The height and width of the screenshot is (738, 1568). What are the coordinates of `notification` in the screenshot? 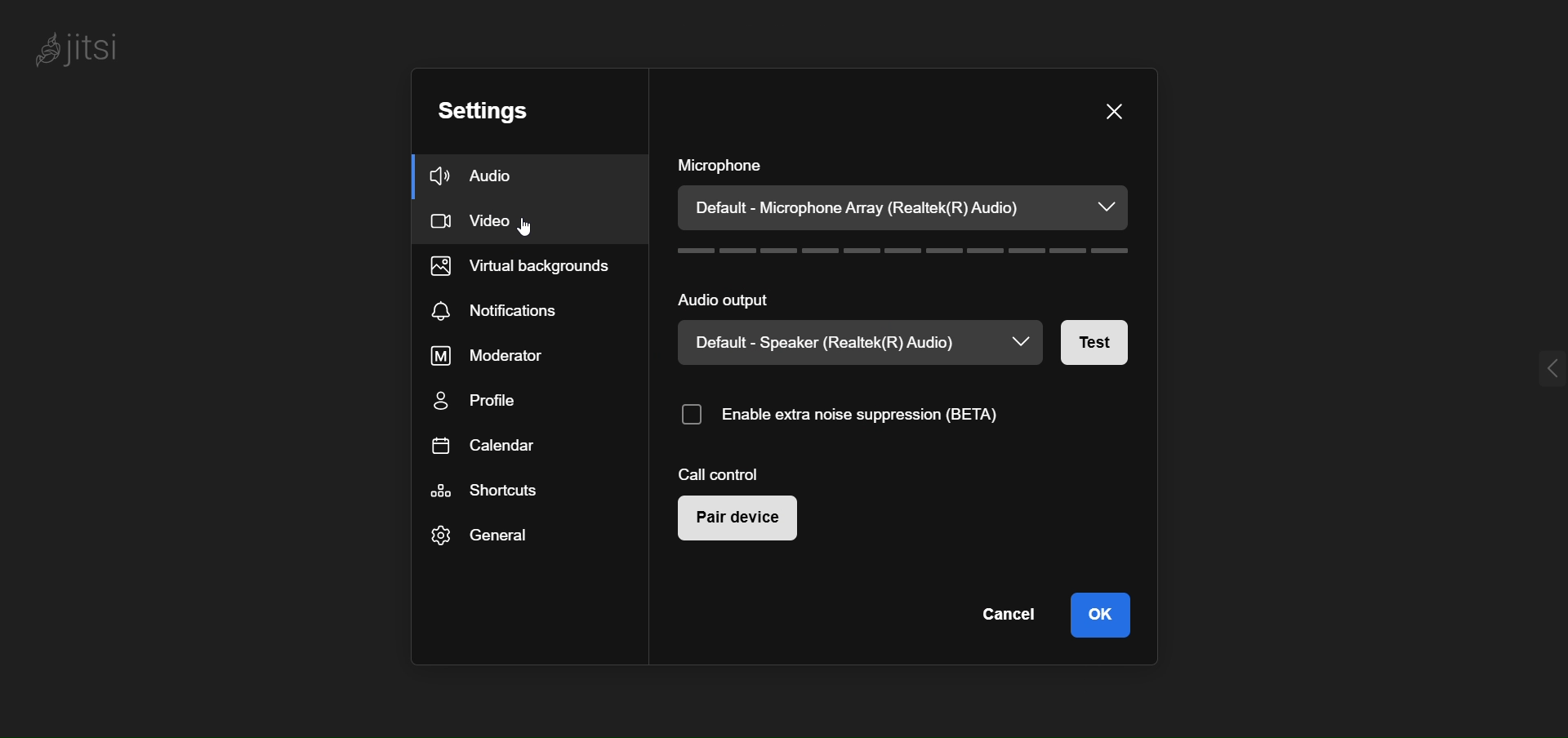 It's located at (505, 309).